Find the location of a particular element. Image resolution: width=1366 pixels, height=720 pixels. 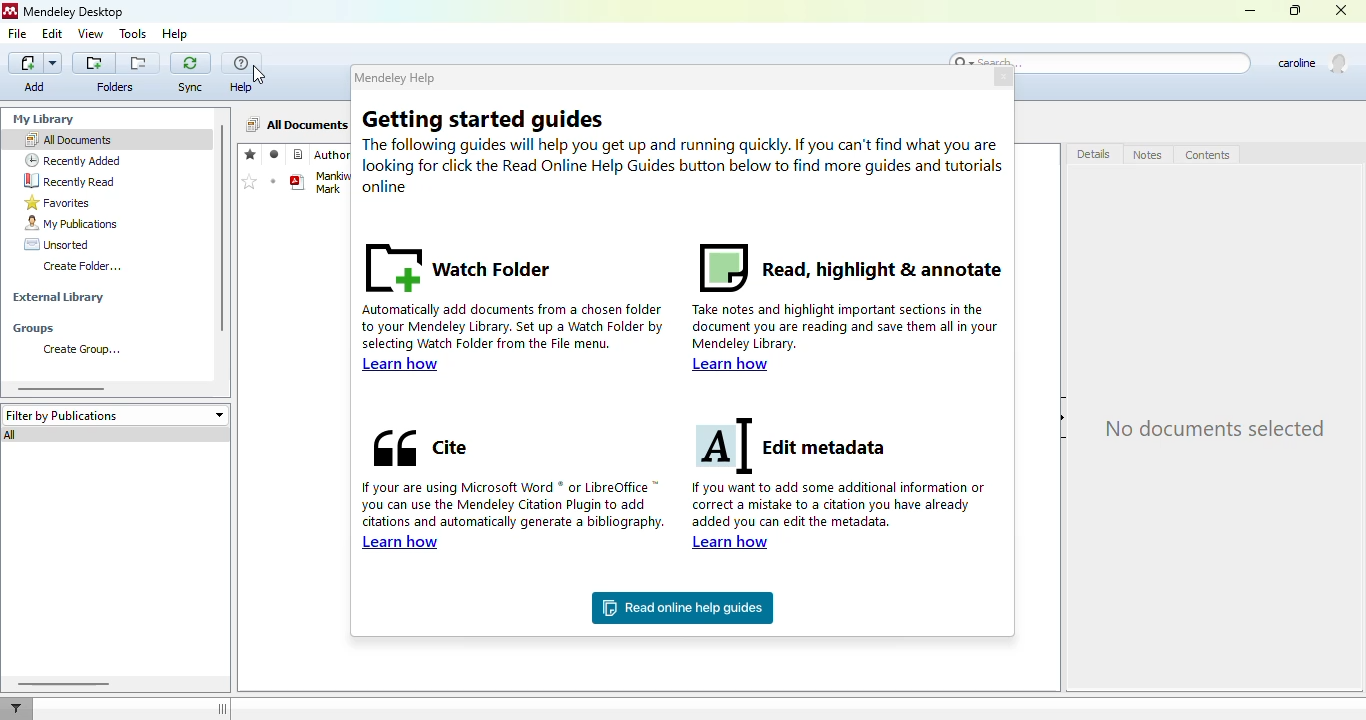

learn how is located at coordinates (401, 542).